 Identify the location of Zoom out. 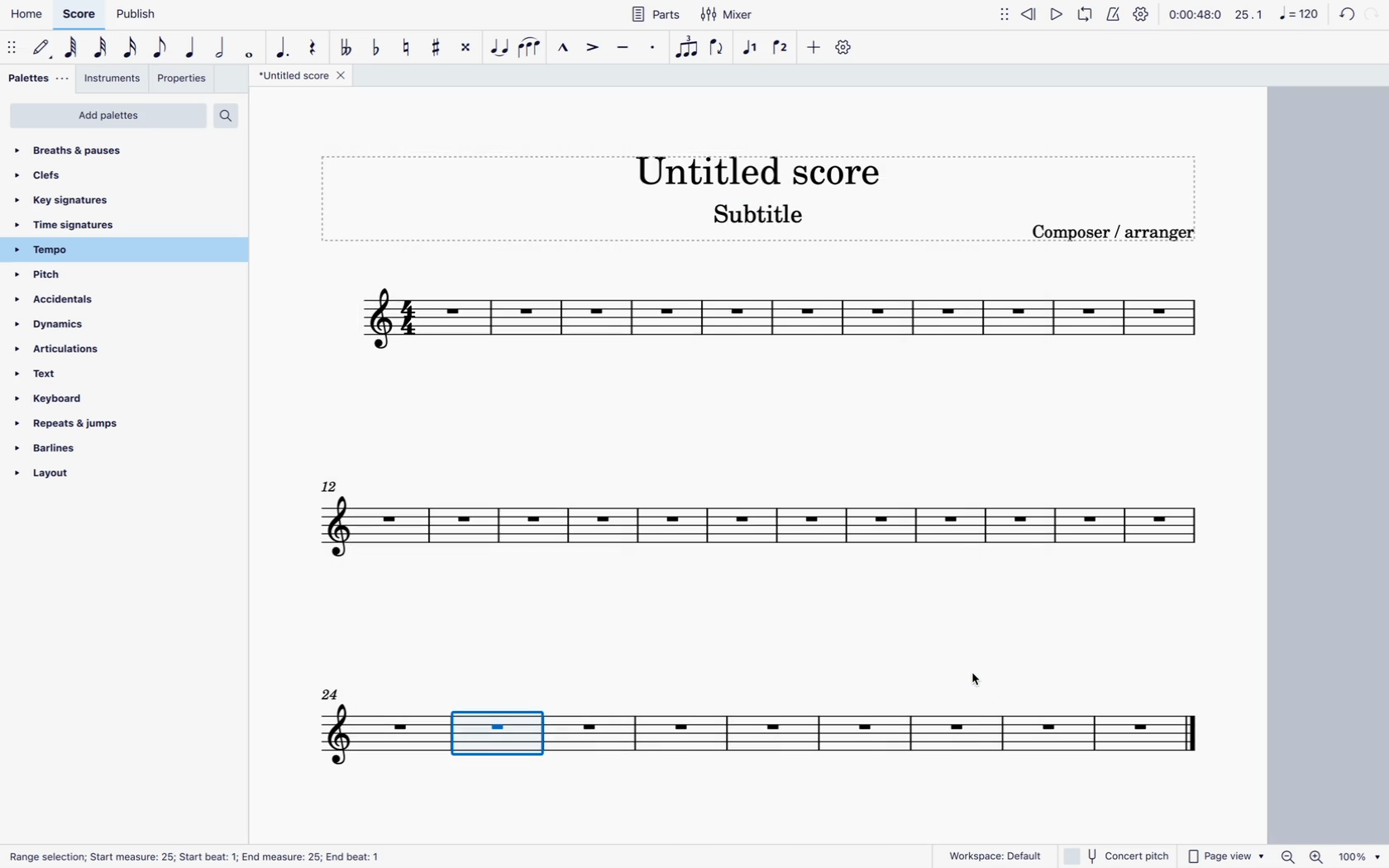
(1287, 856).